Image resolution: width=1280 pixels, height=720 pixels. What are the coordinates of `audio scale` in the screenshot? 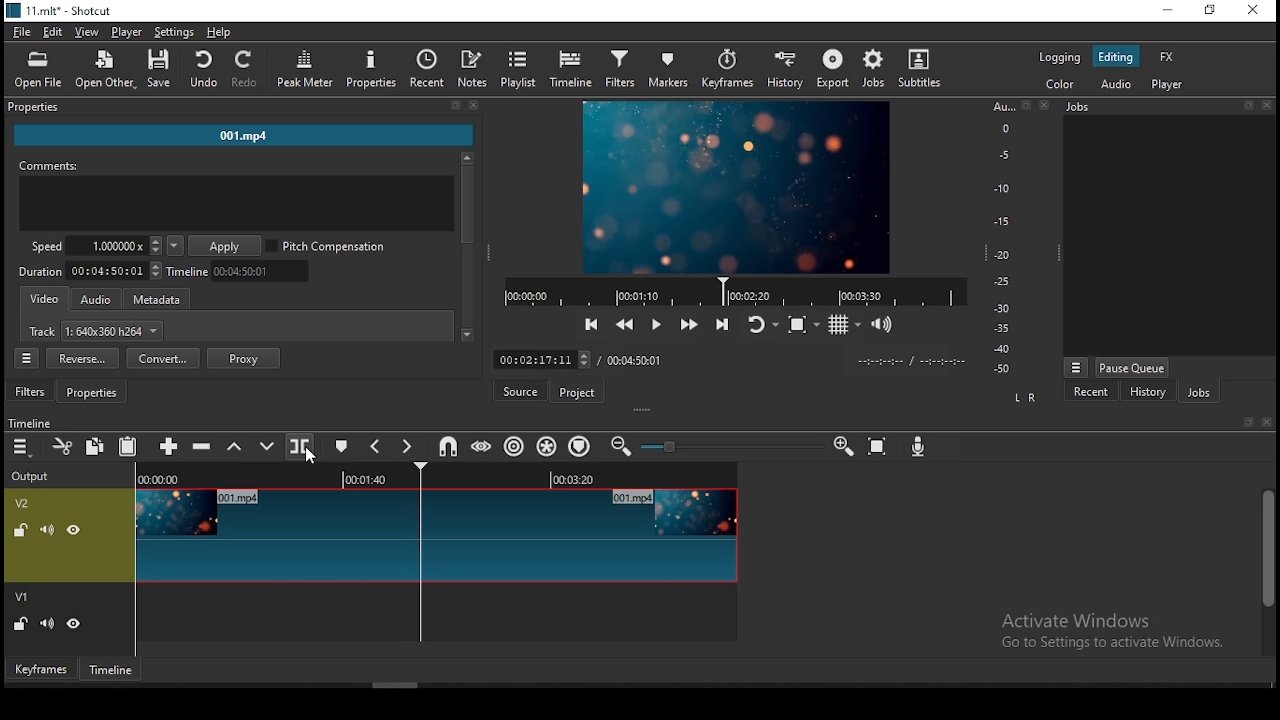 It's located at (1017, 239).